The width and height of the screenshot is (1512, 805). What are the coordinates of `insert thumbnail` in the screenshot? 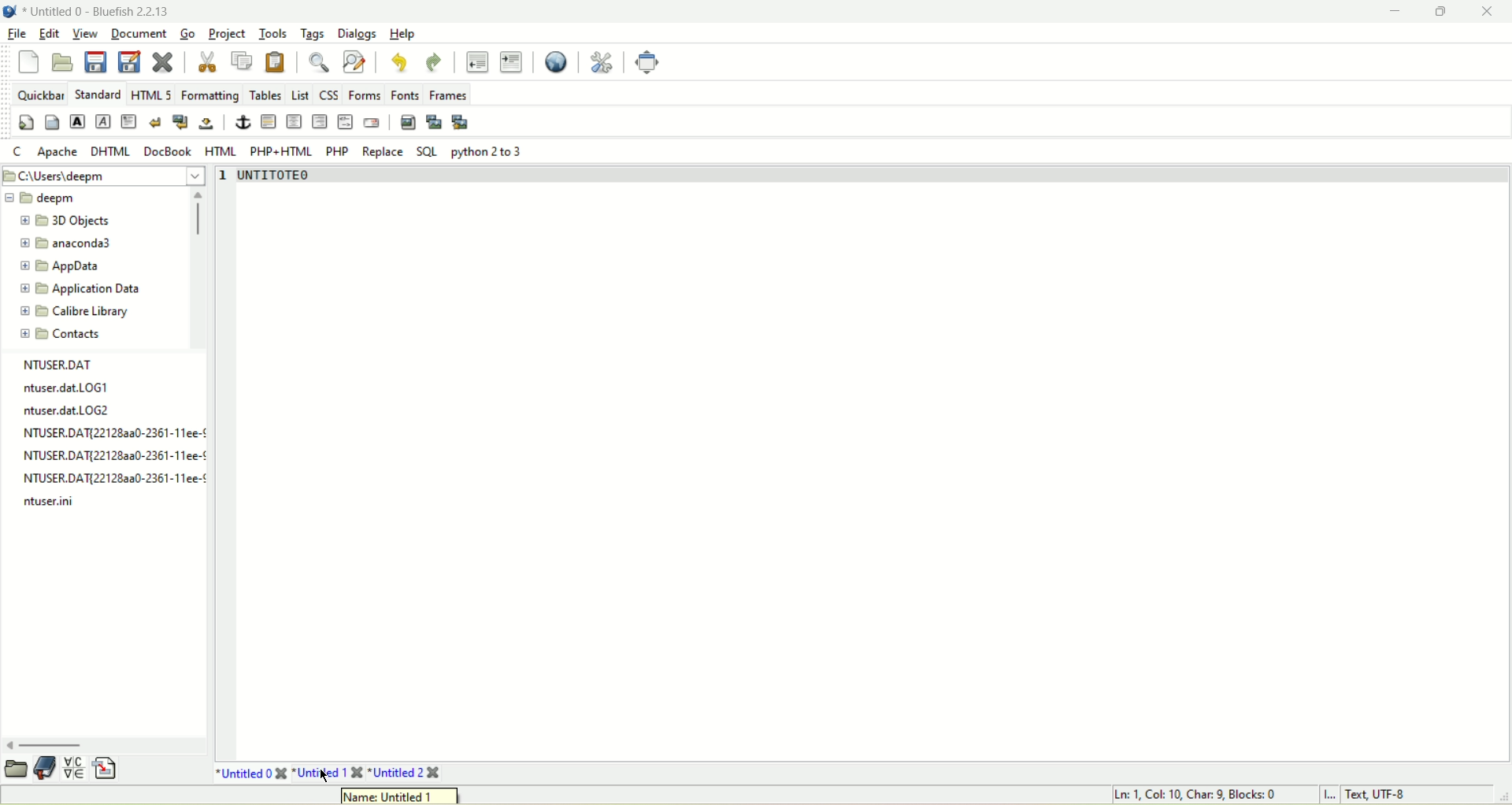 It's located at (435, 123).